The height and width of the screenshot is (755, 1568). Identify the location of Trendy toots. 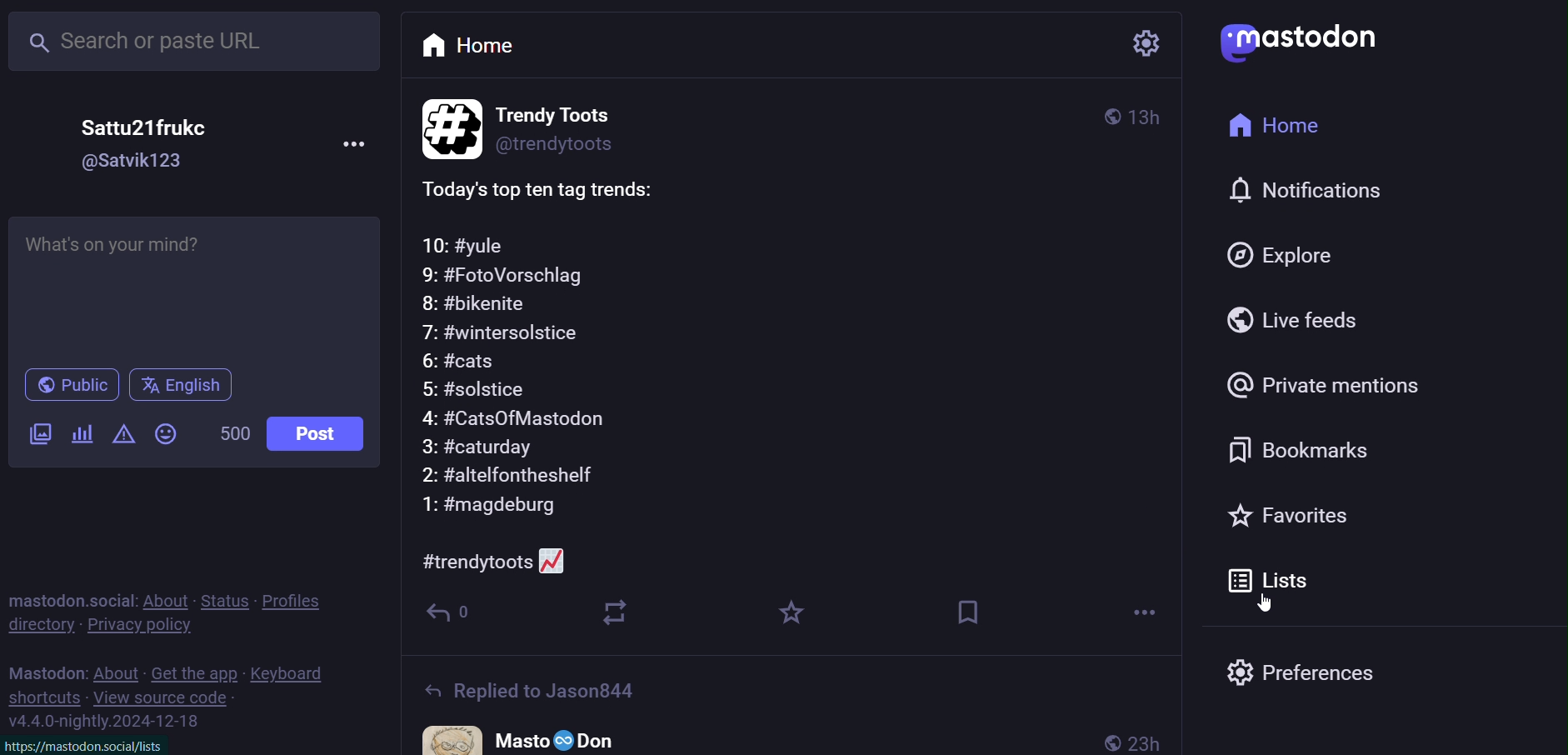
(562, 114).